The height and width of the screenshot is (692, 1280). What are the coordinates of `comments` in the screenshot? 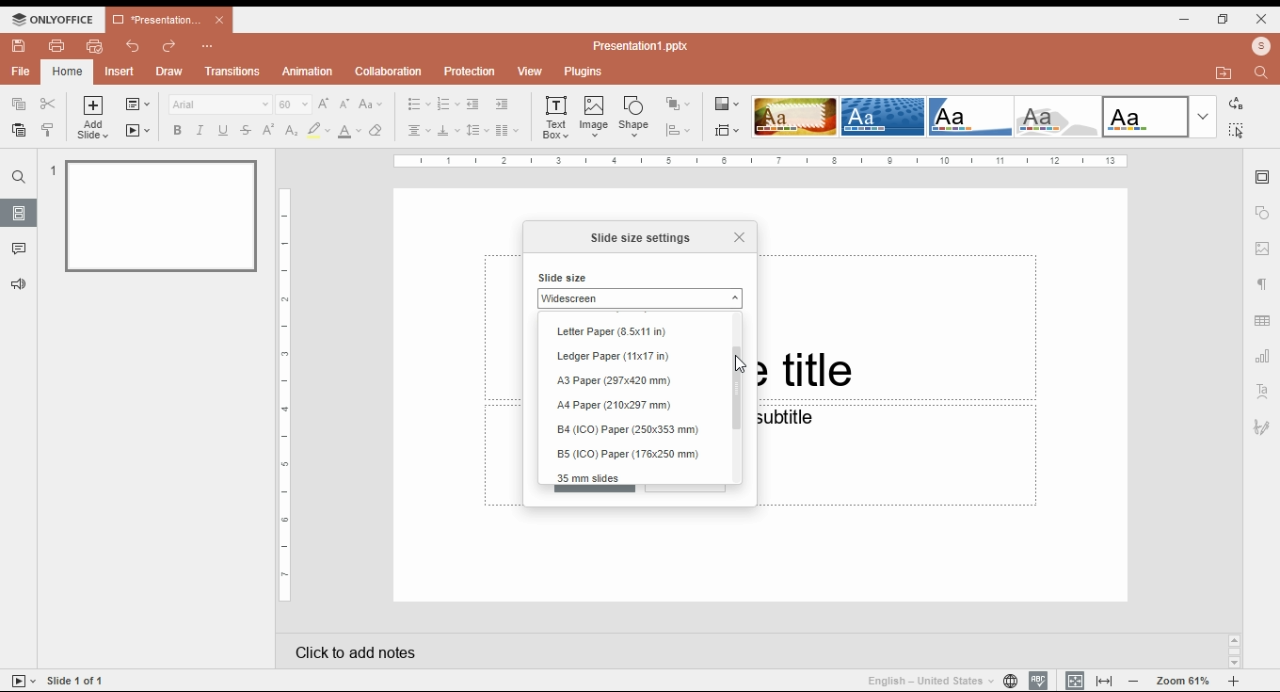 It's located at (19, 249).